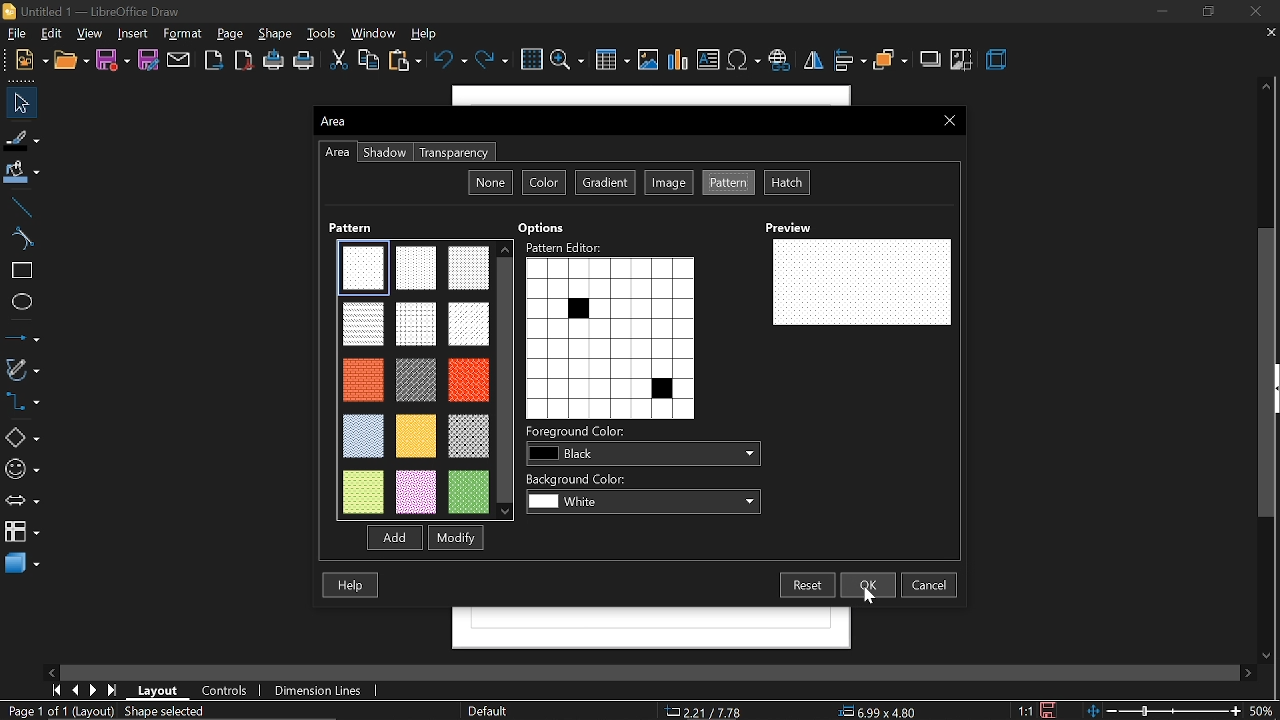 This screenshot has height=720, width=1280. What do you see at coordinates (678, 61) in the screenshot?
I see `insert chart` at bounding box center [678, 61].